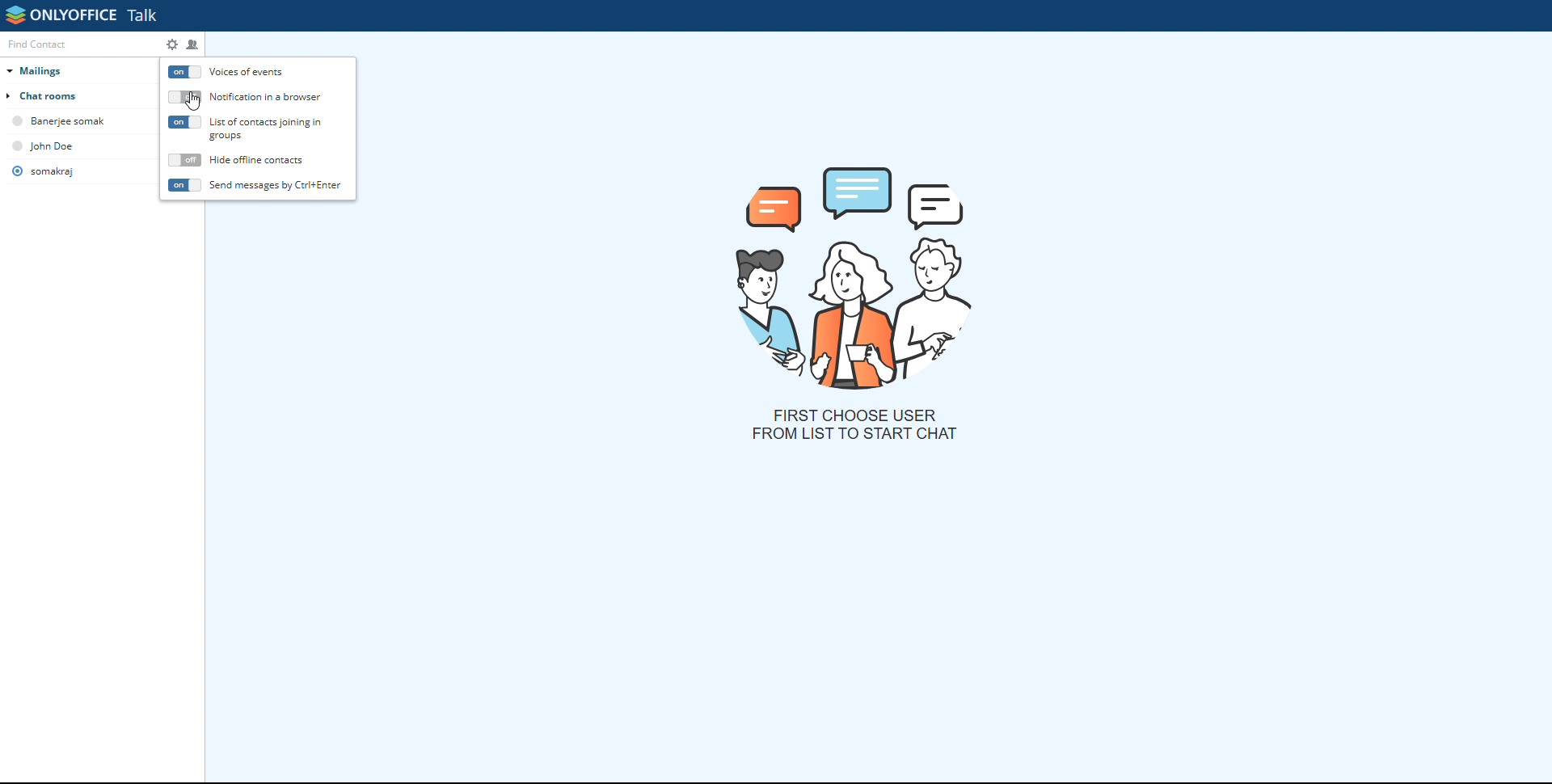 This screenshot has width=1552, height=784. I want to click on voices of events, so click(259, 71).